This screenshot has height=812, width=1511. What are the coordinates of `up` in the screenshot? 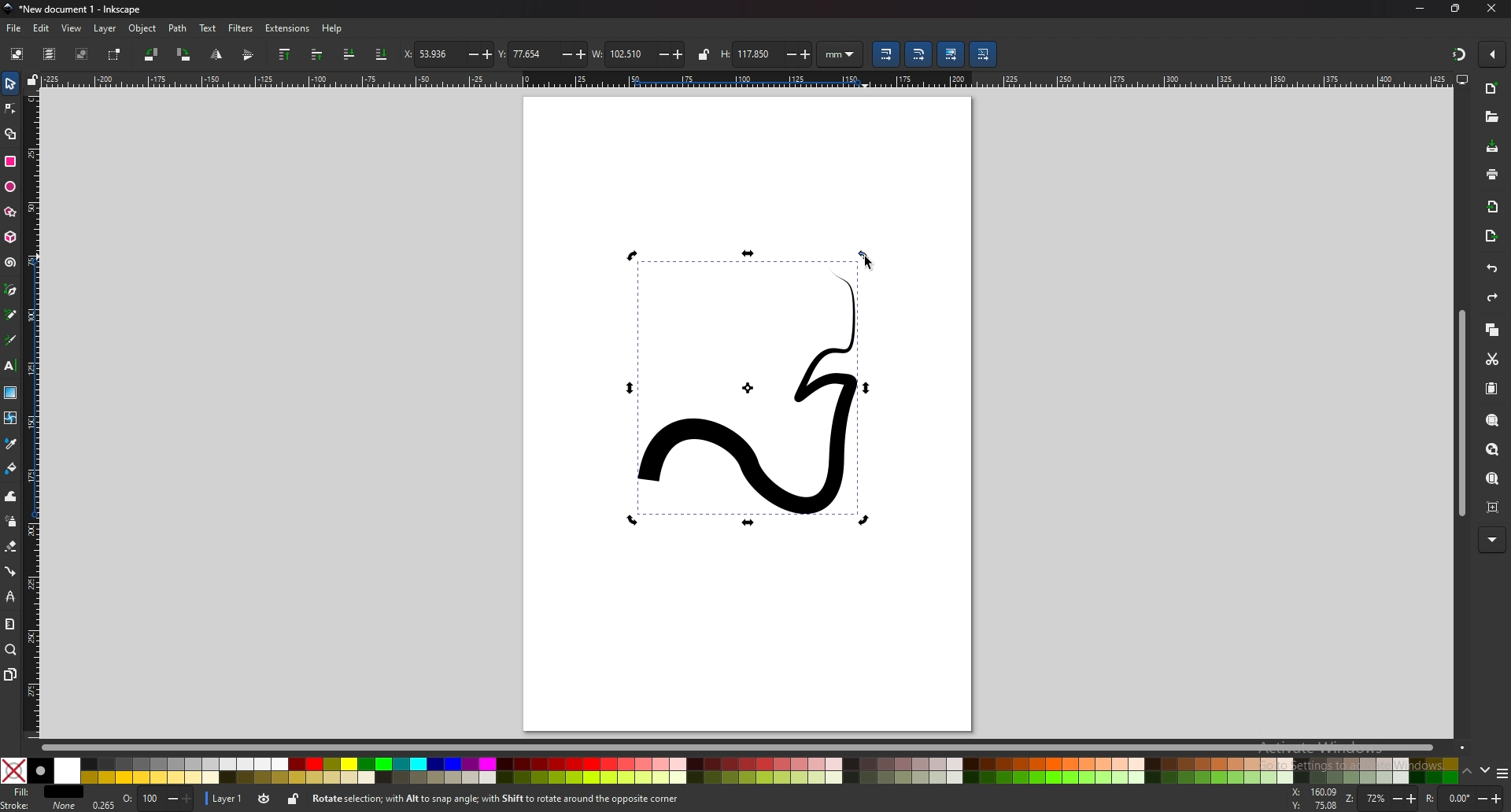 It's located at (1468, 772).